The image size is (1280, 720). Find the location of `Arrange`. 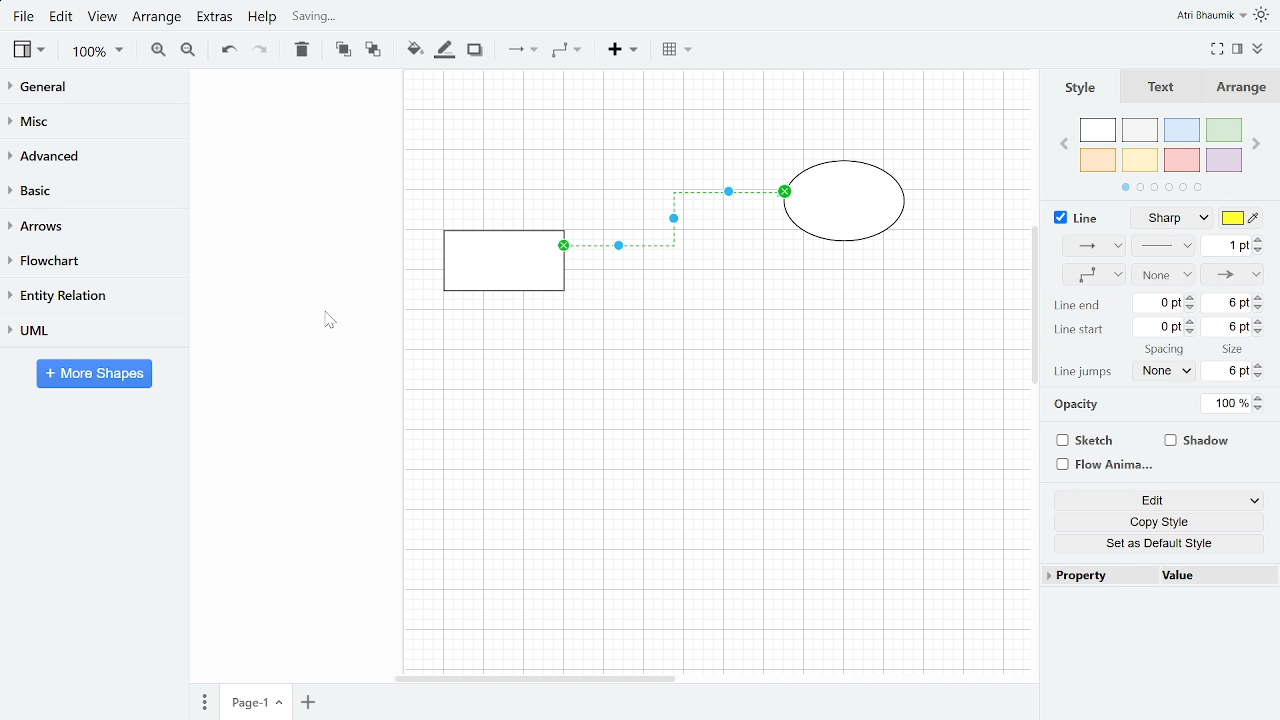

Arrange is located at coordinates (158, 19).